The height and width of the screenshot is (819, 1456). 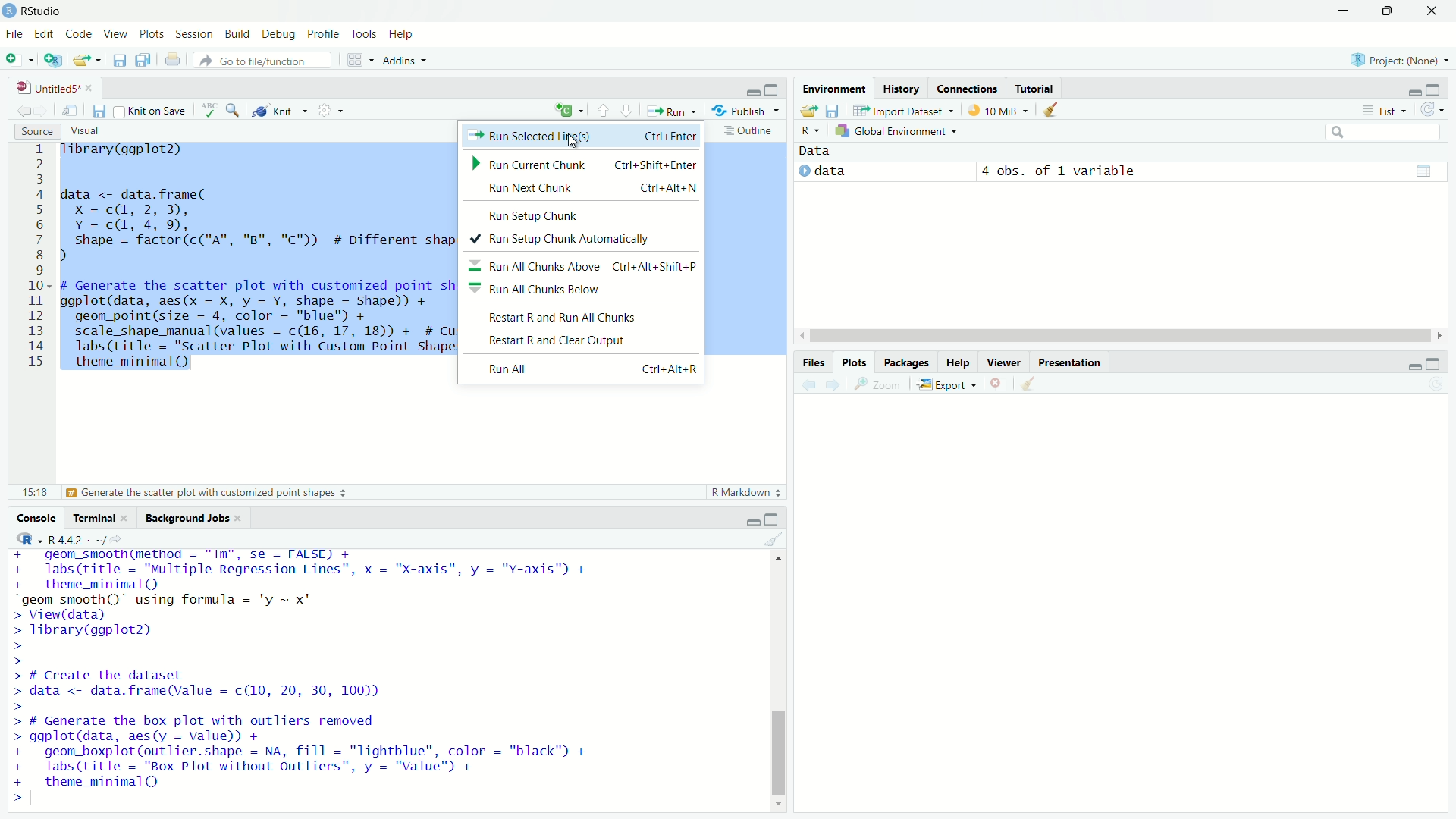 What do you see at coordinates (99, 111) in the screenshot?
I see `Save current document` at bounding box center [99, 111].